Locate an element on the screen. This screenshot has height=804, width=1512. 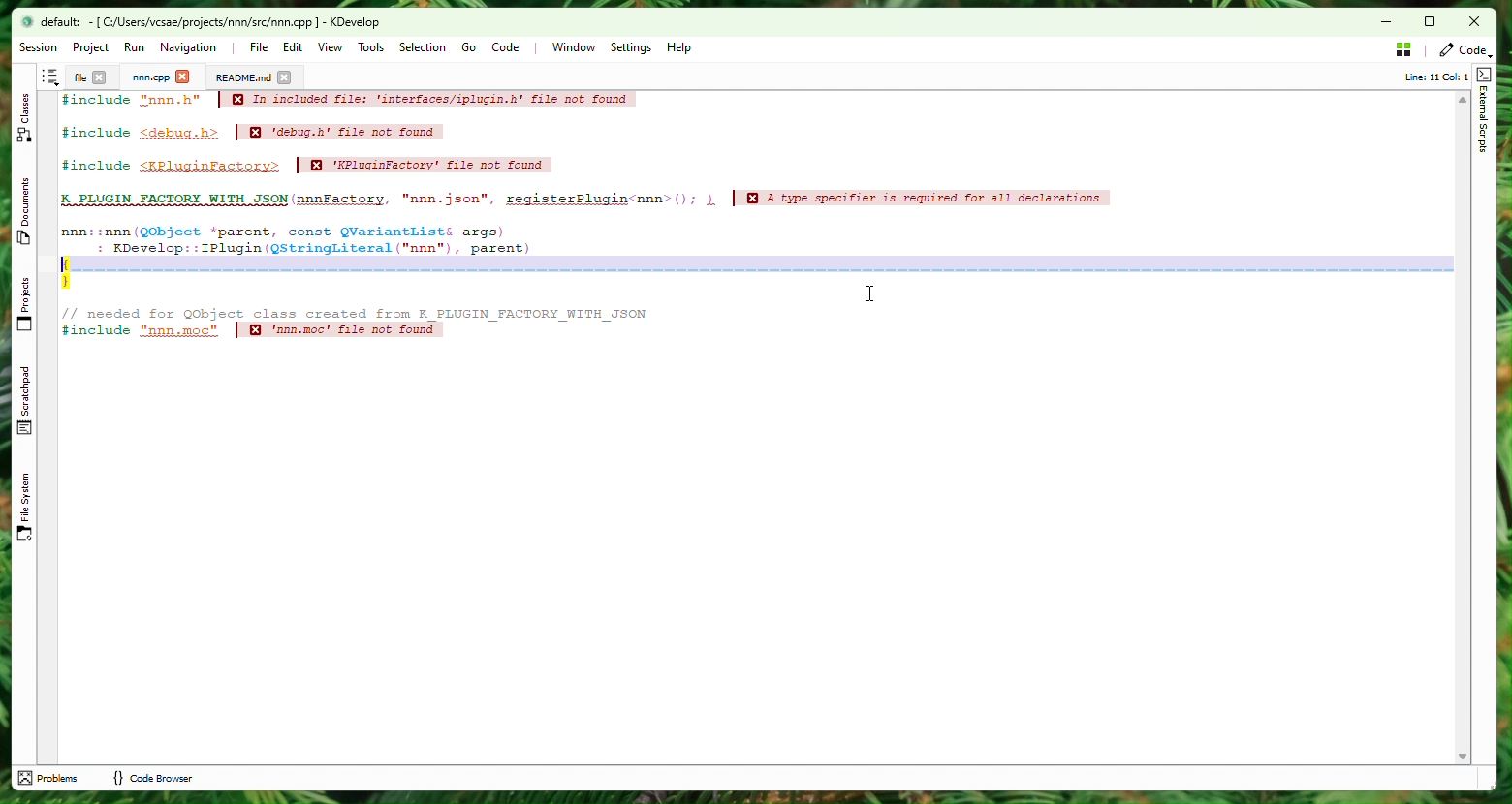
Shortcut is located at coordinates (50, 77).